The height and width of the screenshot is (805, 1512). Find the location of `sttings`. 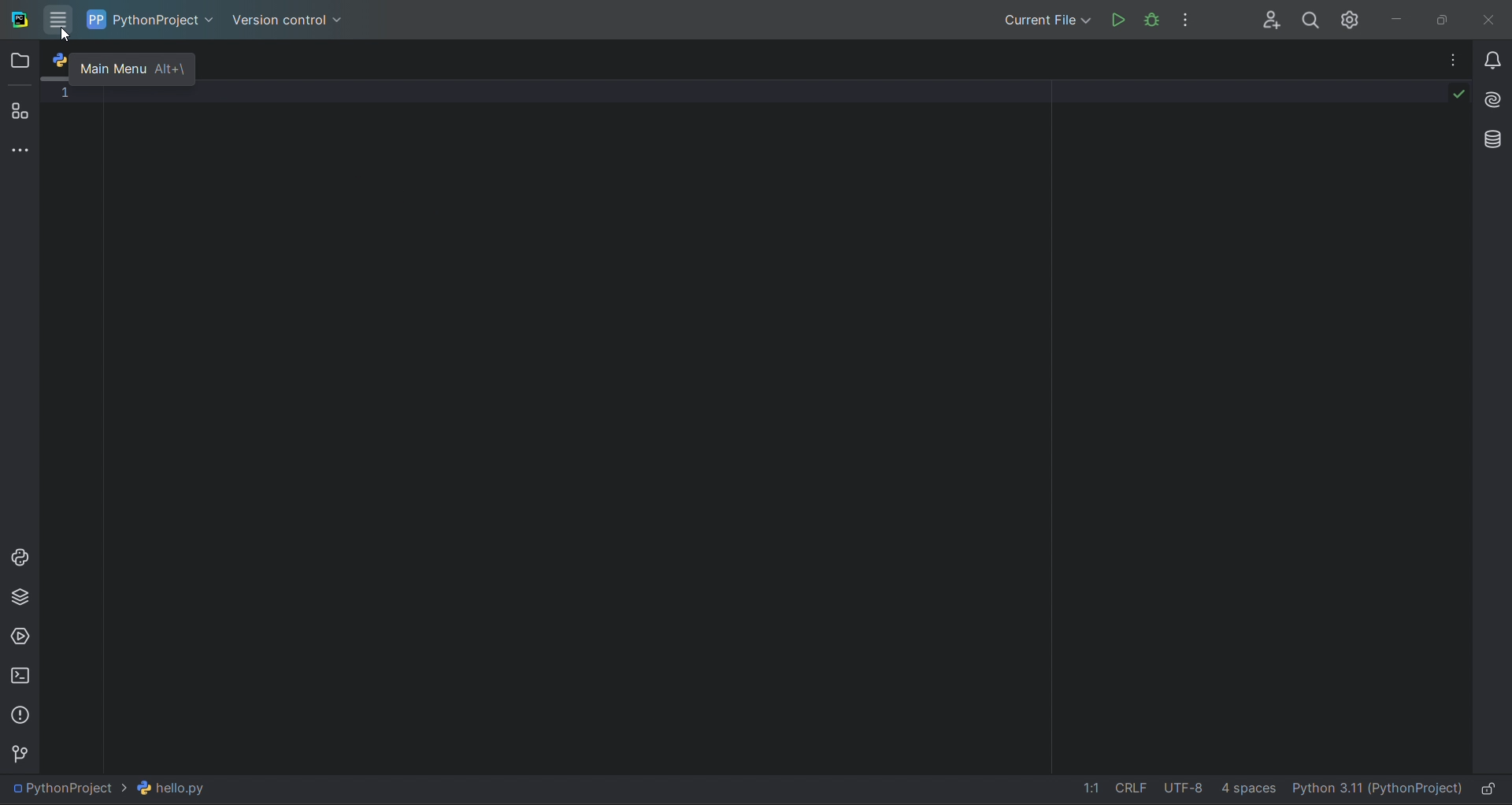

sttings is located at coordinates (1354, 19).